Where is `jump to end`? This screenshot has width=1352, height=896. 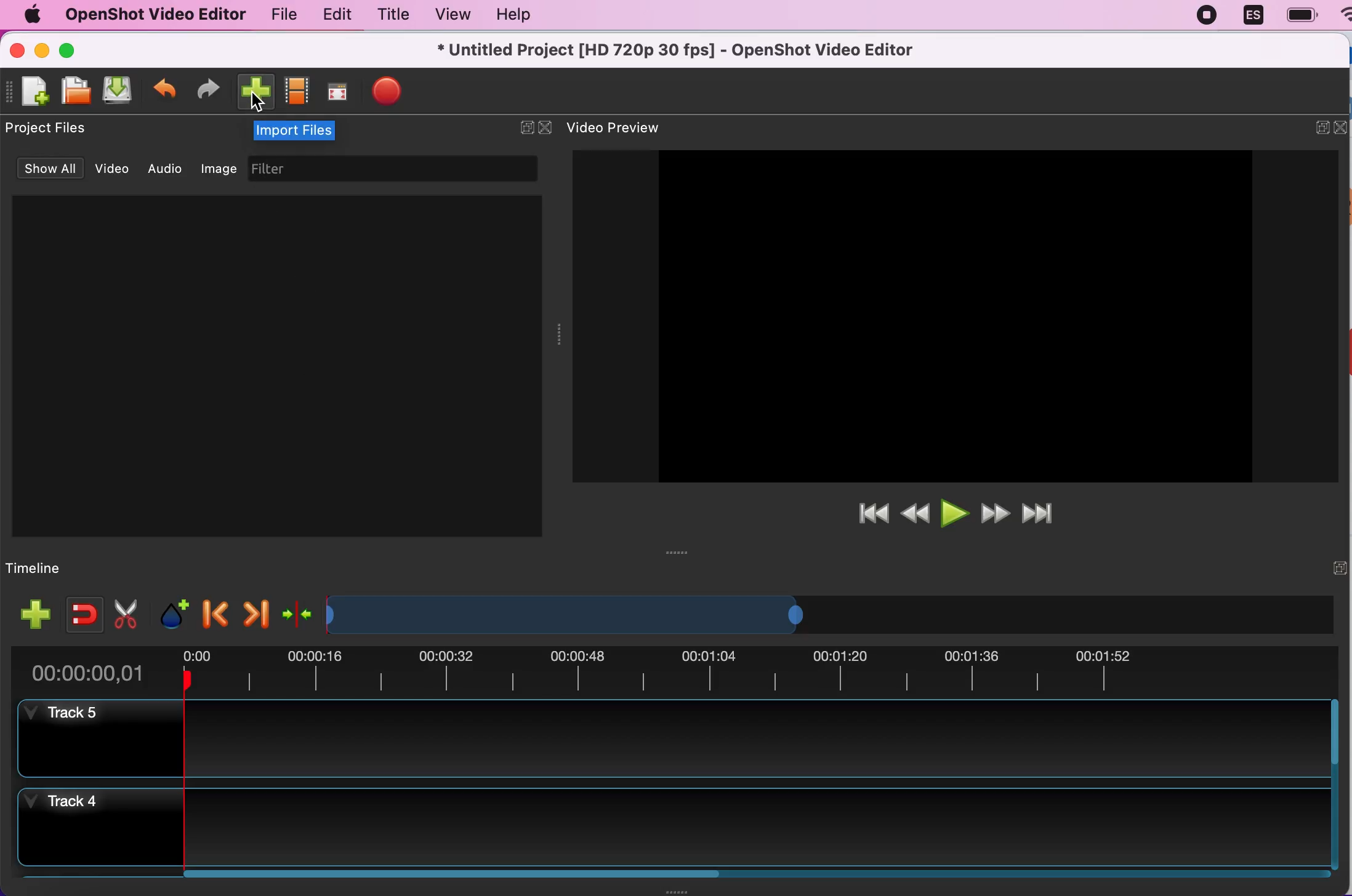
jump to end is located at coordinates (1051, 513).